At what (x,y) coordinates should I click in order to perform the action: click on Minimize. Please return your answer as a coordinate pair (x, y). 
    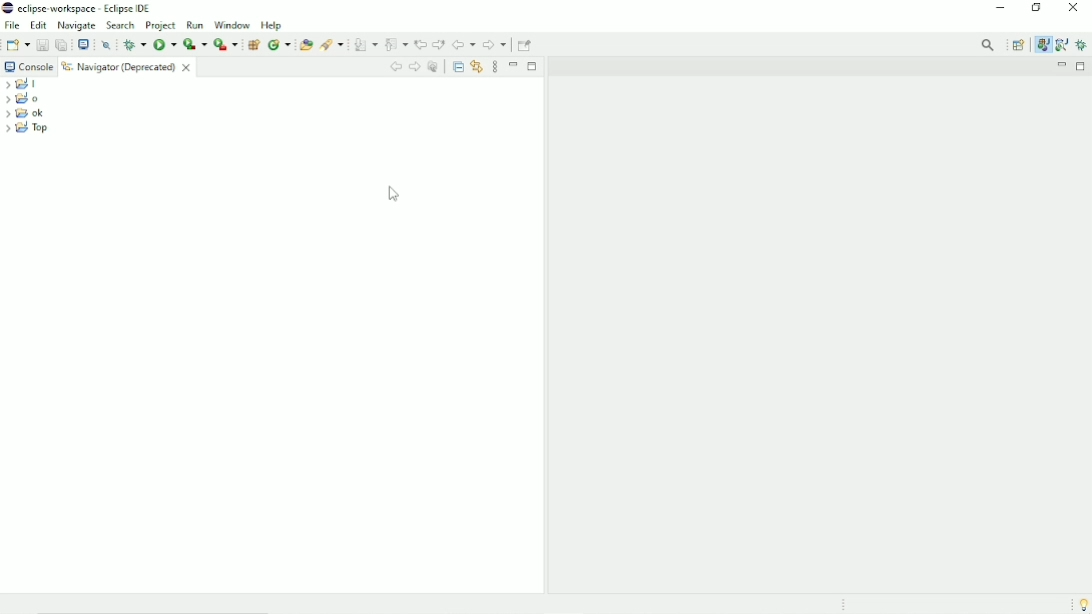
    Looking at the image, I should click on (1060, 66).